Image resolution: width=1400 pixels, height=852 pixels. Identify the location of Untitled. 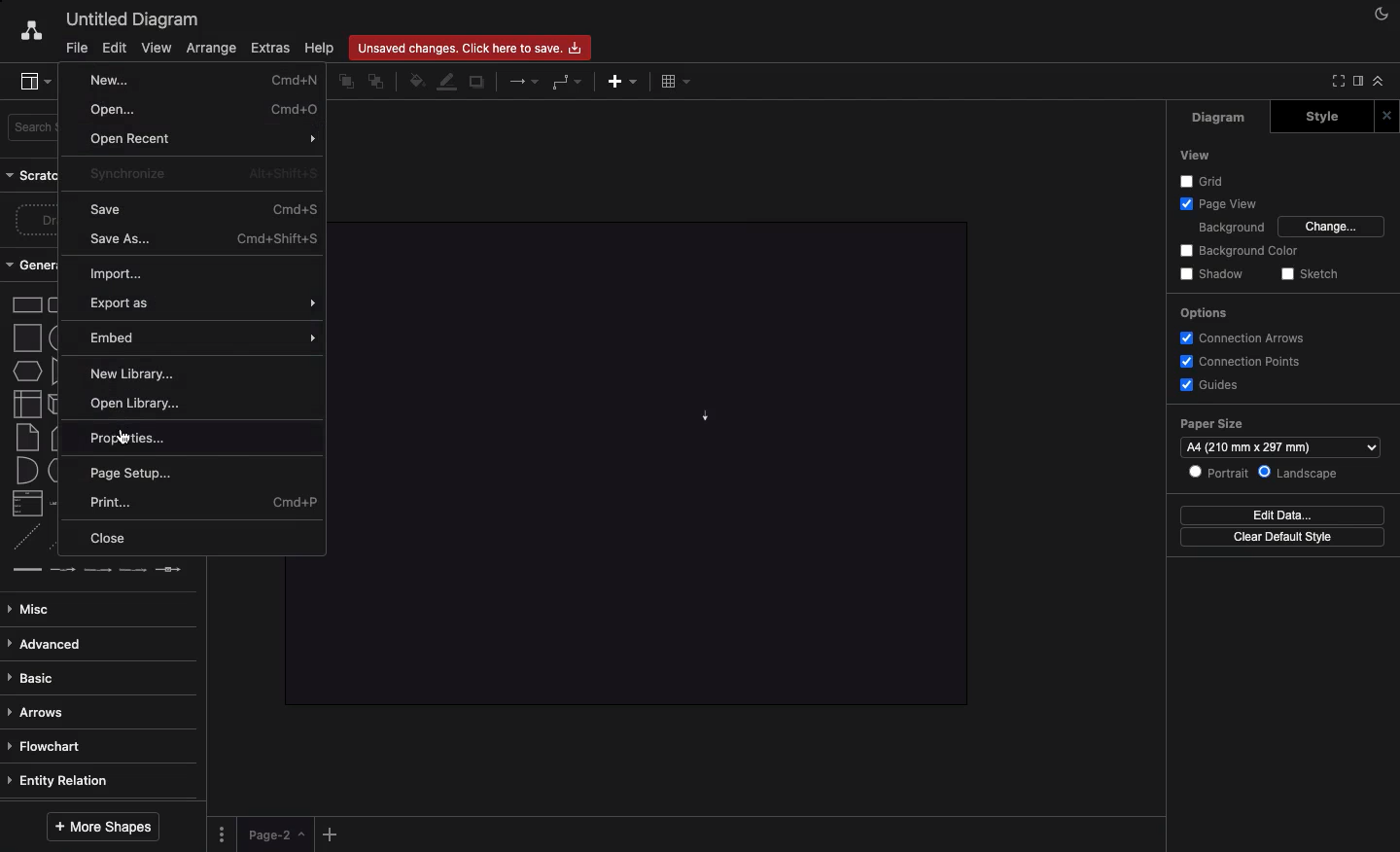
(128, 18).